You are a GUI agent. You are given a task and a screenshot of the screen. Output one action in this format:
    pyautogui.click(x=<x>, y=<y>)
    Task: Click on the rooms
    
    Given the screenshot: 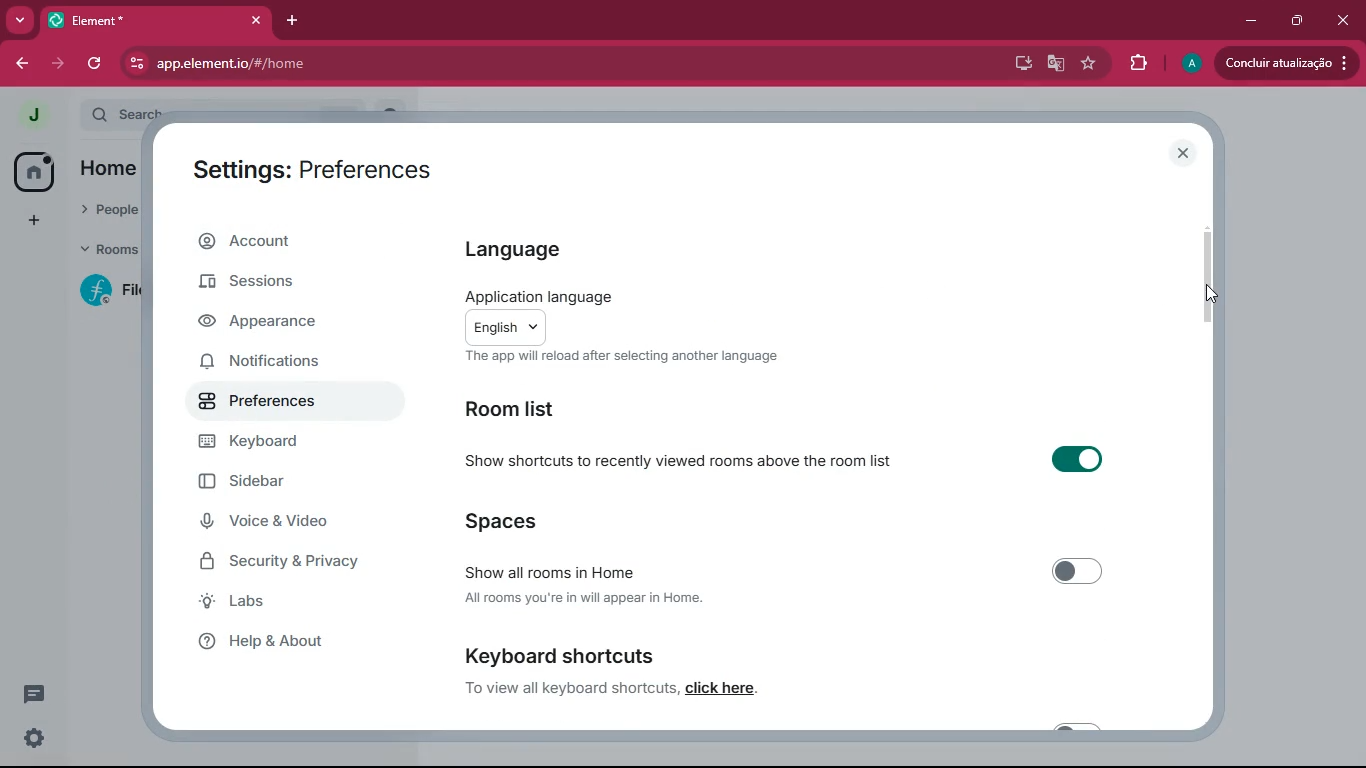 What is the action you would take?
    pyautogui.click(x=106, y=251)
    